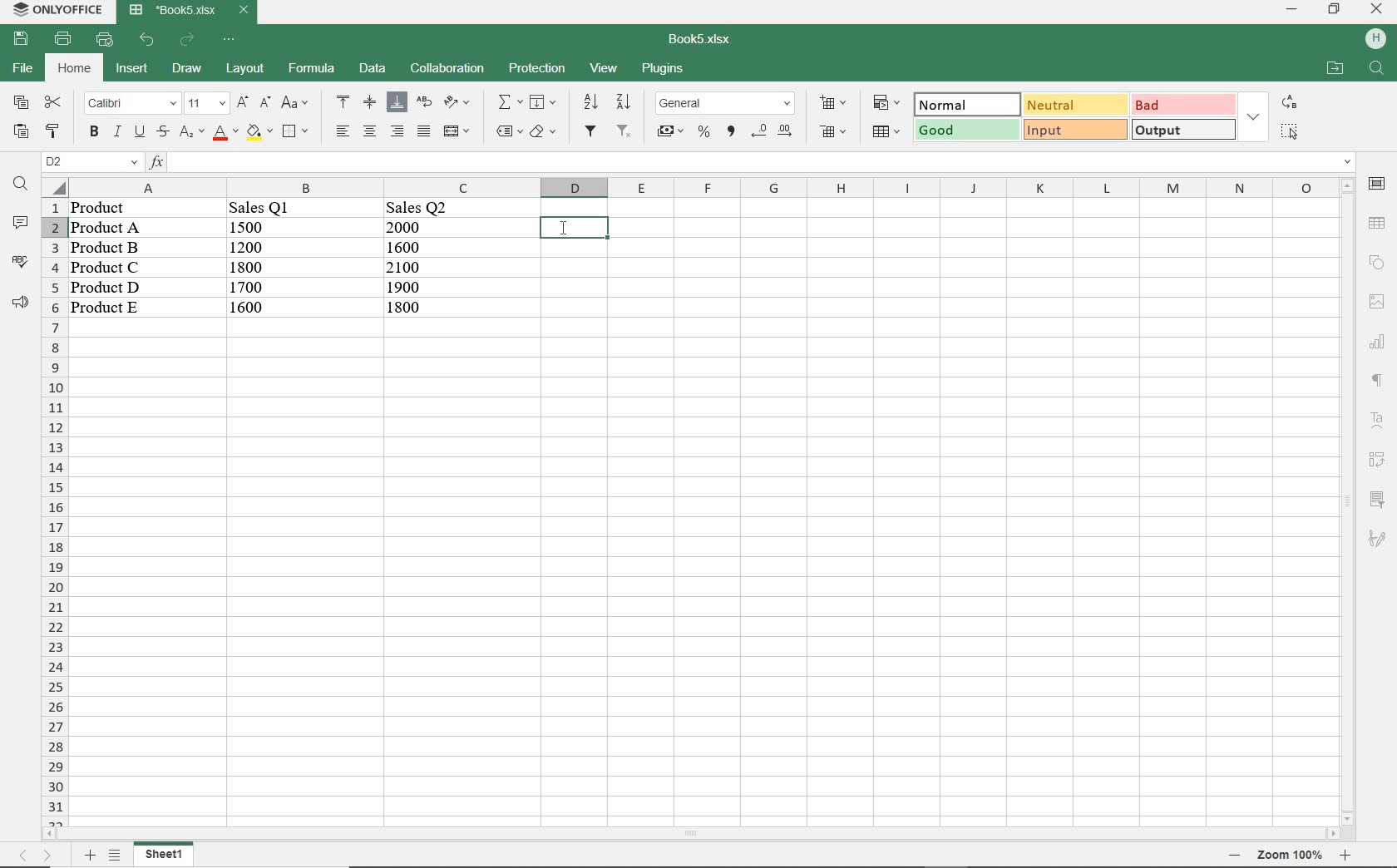  What do you see at coordinates (1378, 69) in the screenshot?
I see `find` at bounding box center [1378, 69].